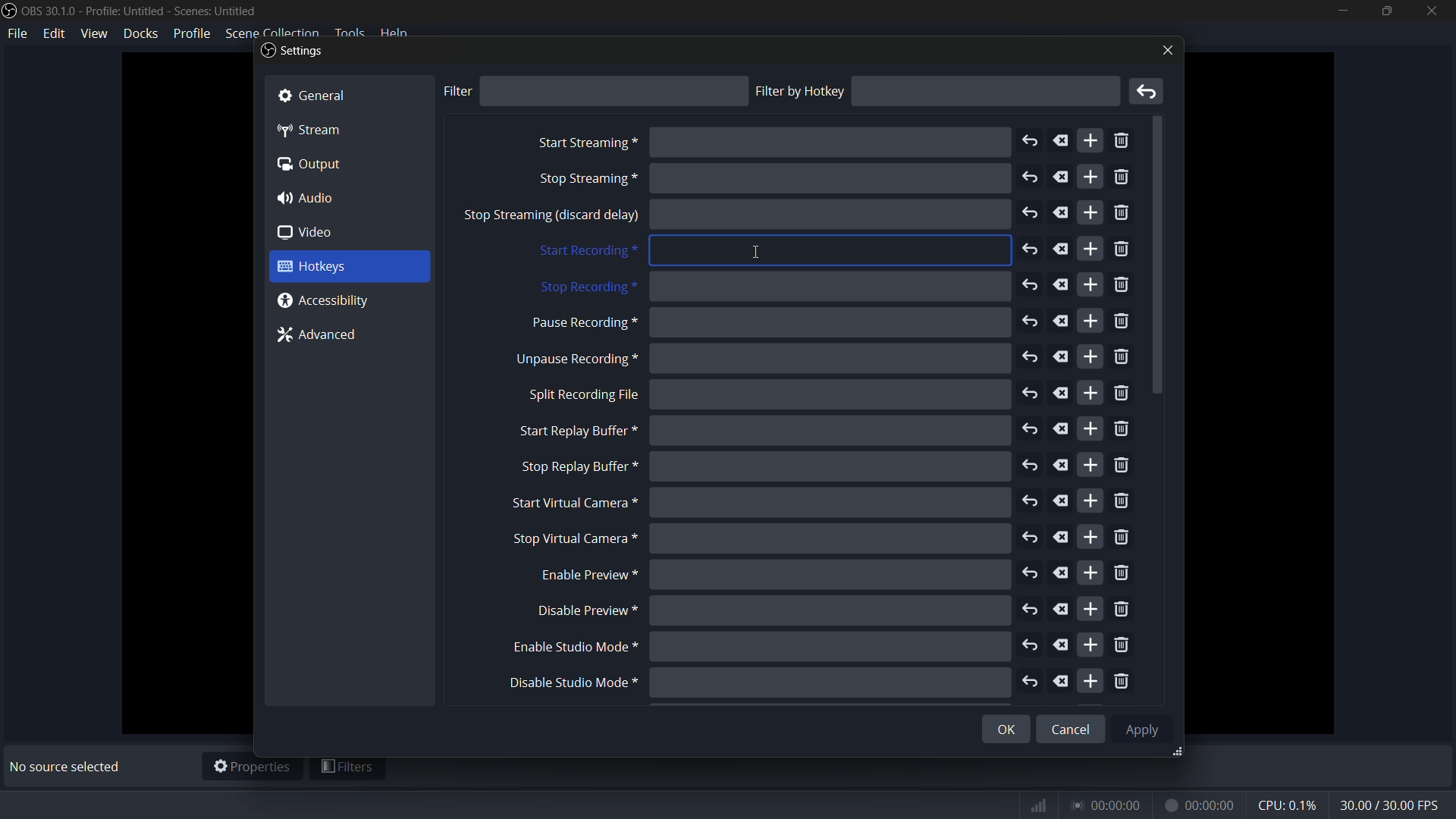 This screenshot has width=1456, height=819. What do you see at coordinates (1031, 575) in the screenshot?
I see `undo` at bounding box center [1031, 575].